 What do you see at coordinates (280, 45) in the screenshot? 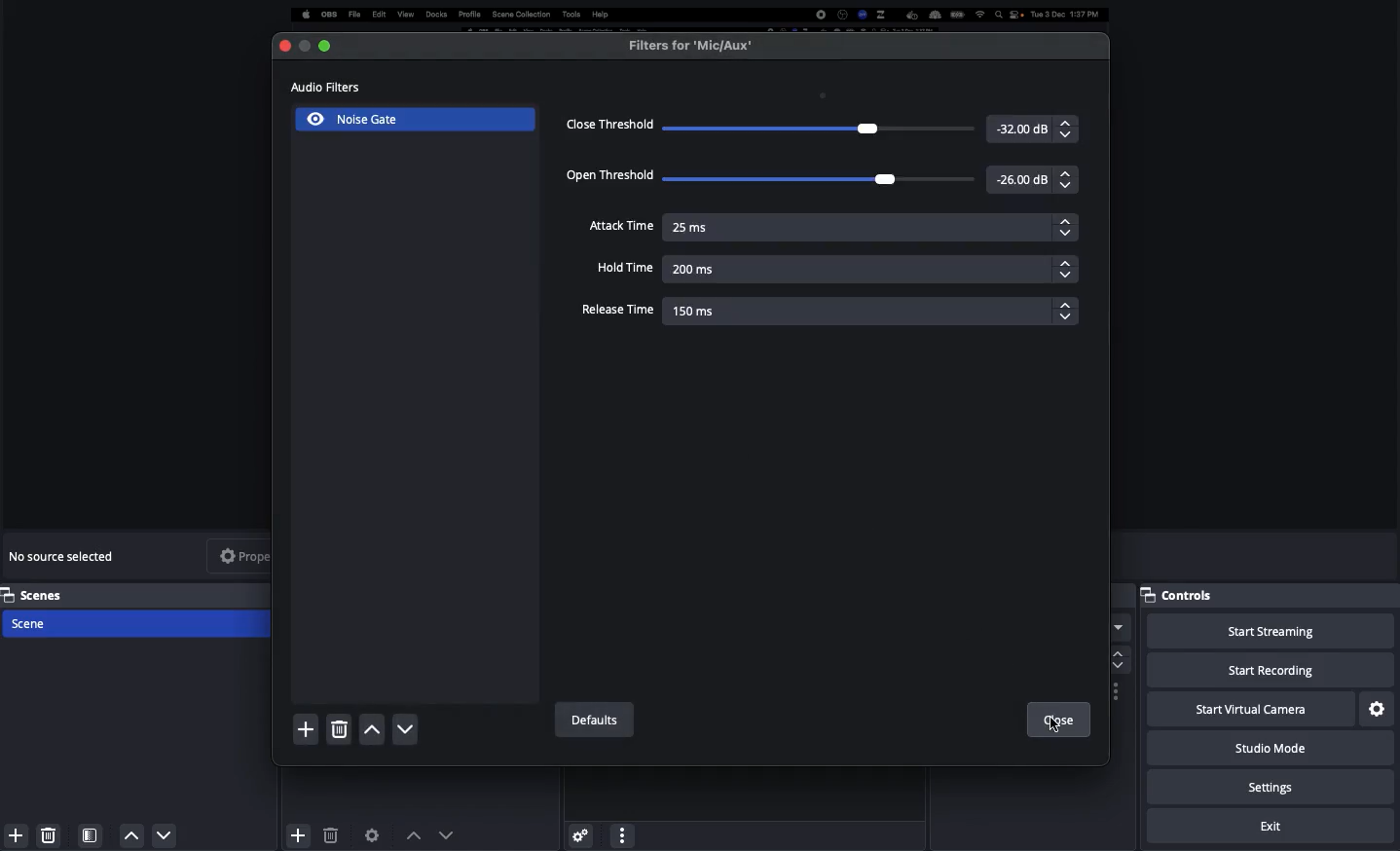
I see `Close` at bounding box center [280, 45].